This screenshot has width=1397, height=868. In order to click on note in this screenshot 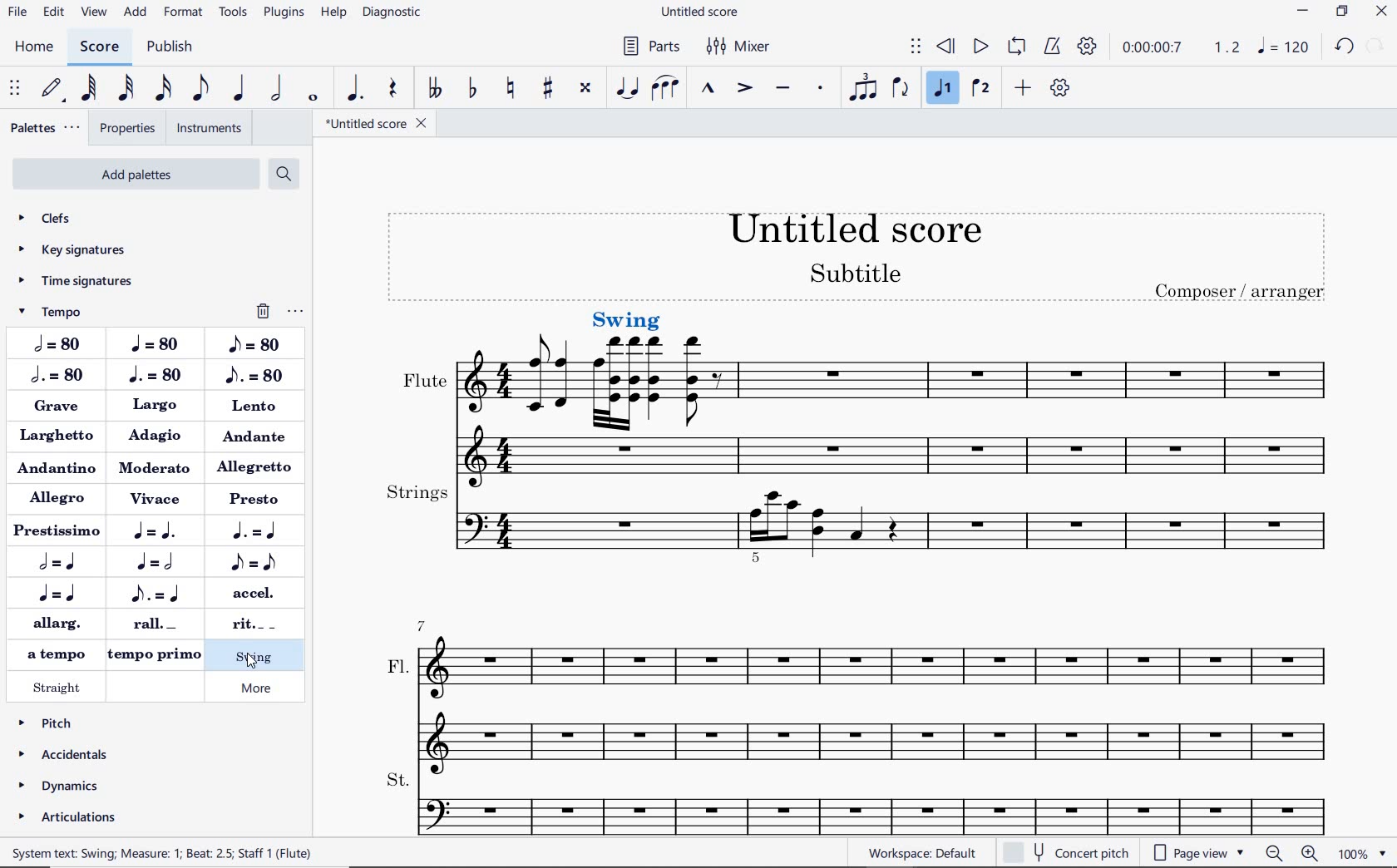, I will do `click(1286, 48)`.